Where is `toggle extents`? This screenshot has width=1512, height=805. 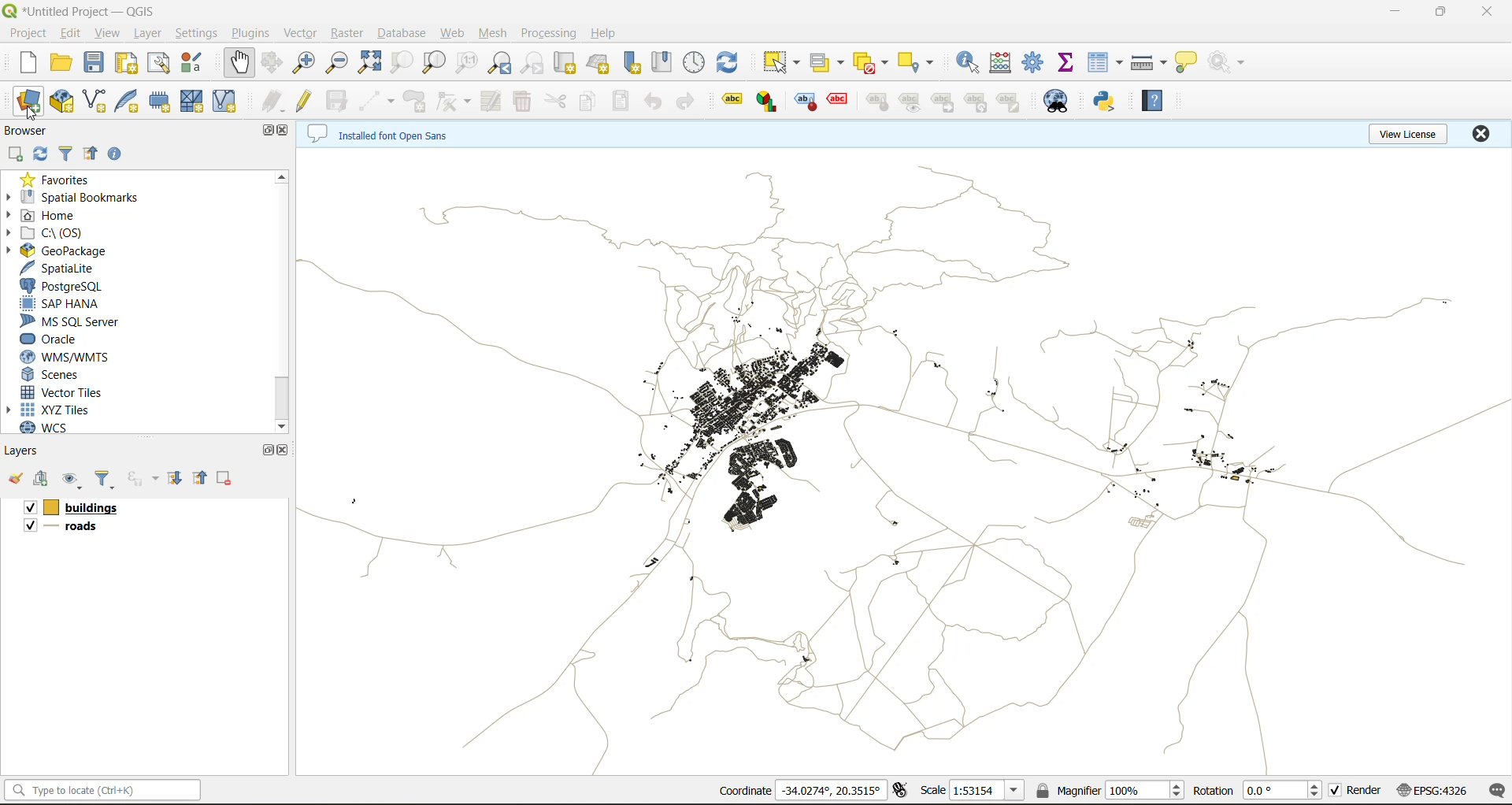
toggle extents is located at coordinates (902, 789).